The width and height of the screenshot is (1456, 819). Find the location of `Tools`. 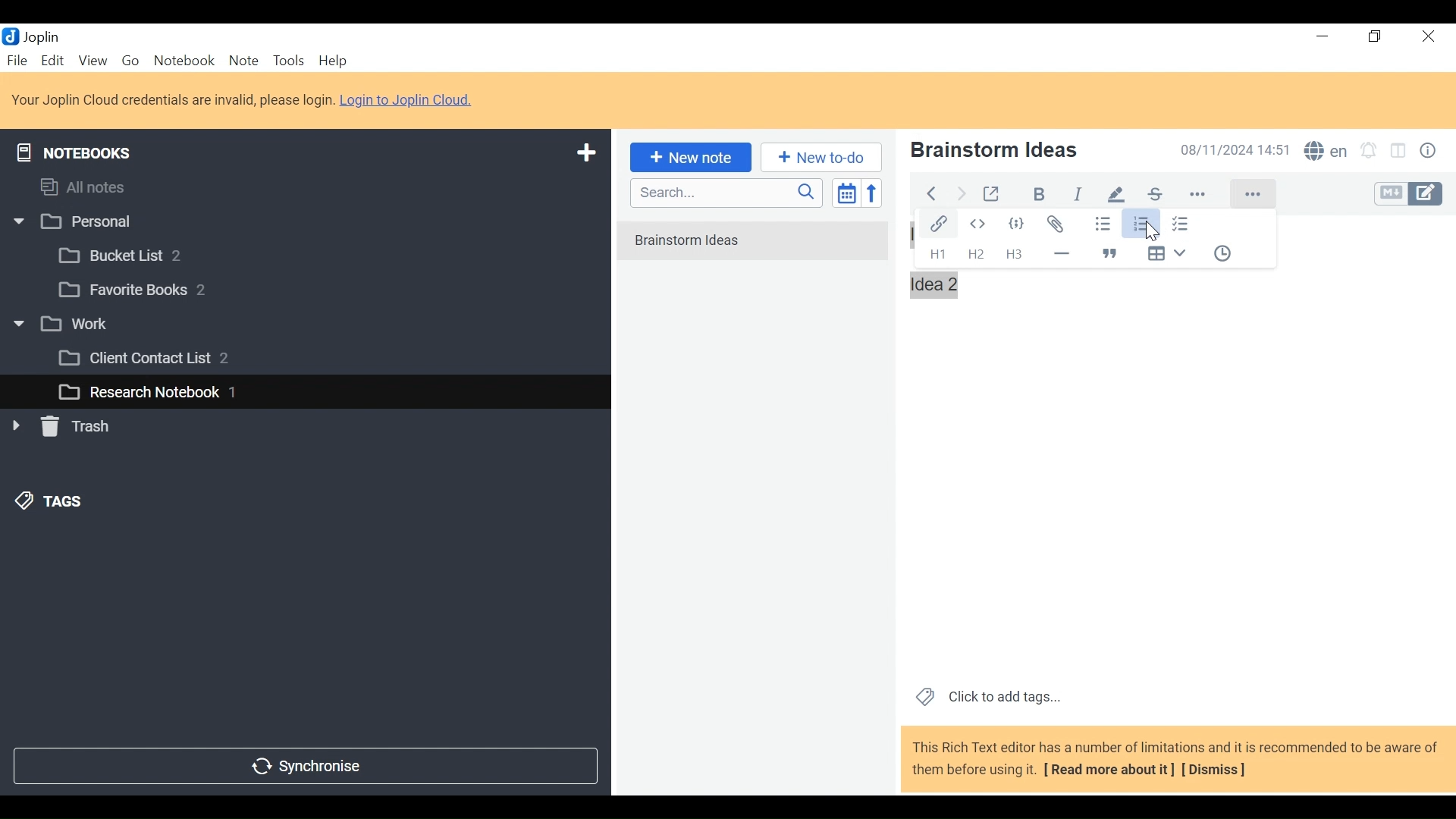

Tools is located at coordinates (287, 61).